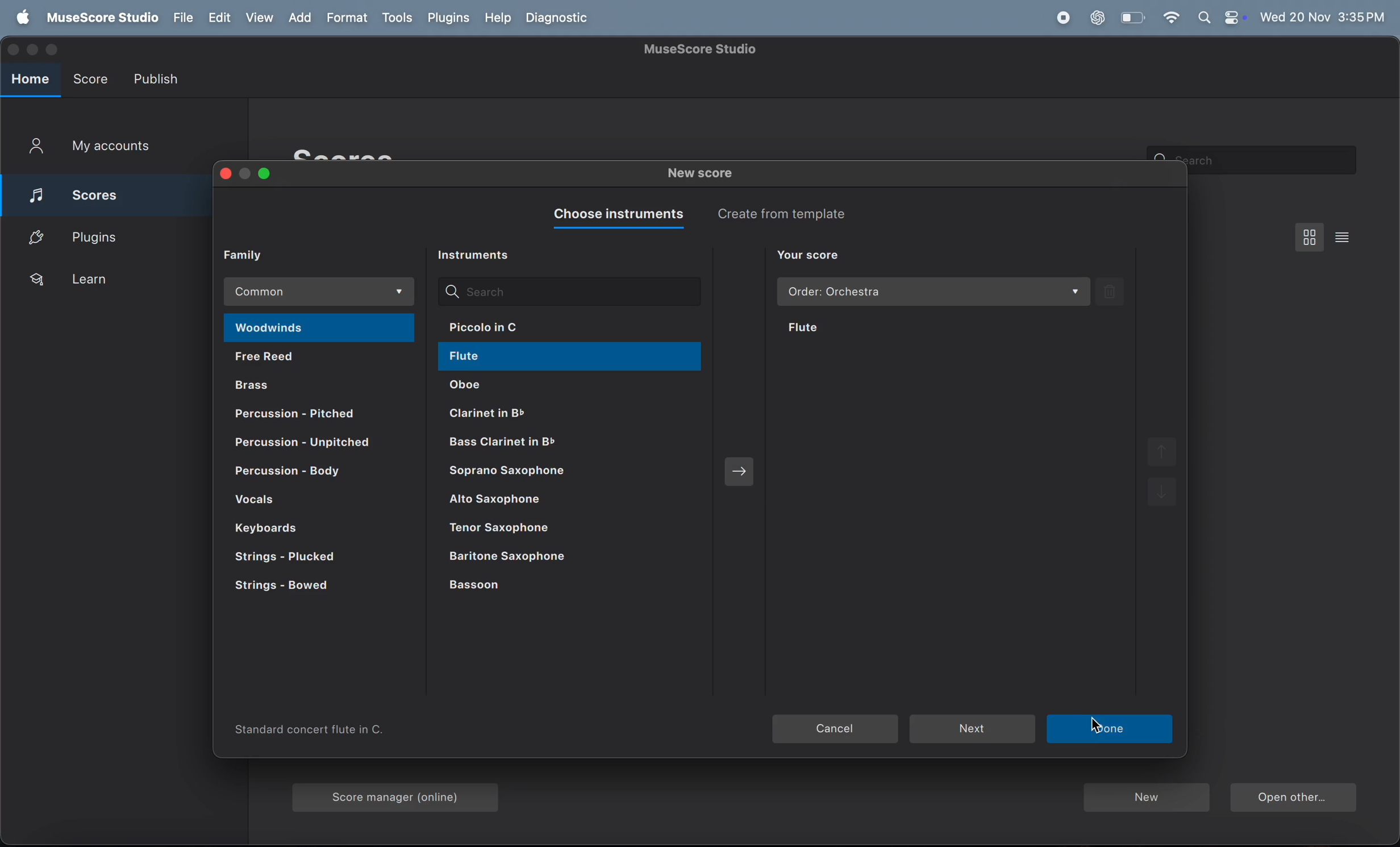  Describe the element at coordinates (246, 174) in the screenshot. I see `minimize` at that location.